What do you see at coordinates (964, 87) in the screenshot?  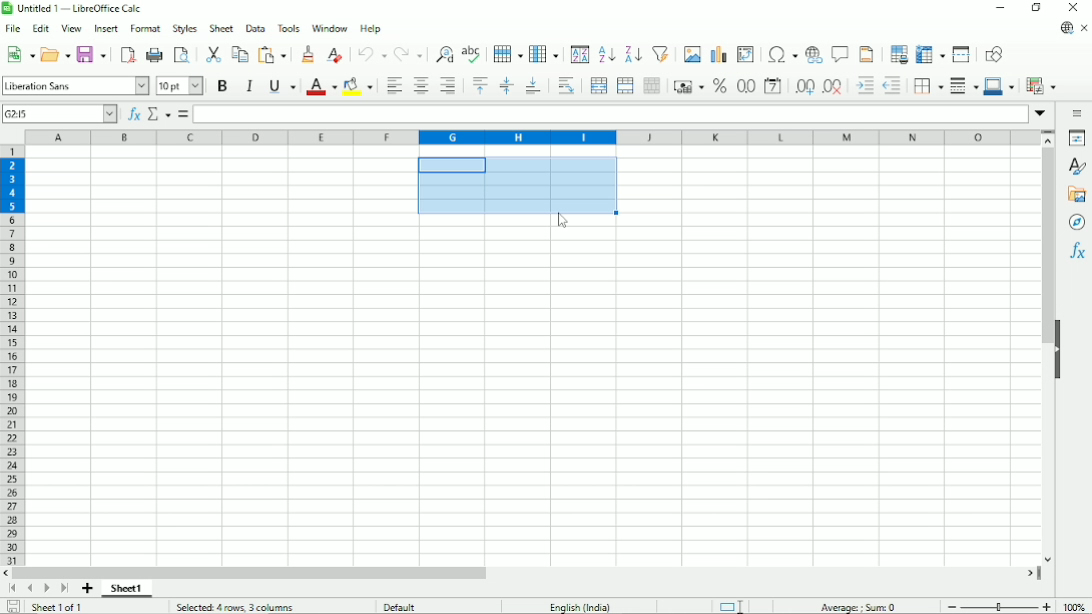 I see `Border style` at bounding box center [964, 87].